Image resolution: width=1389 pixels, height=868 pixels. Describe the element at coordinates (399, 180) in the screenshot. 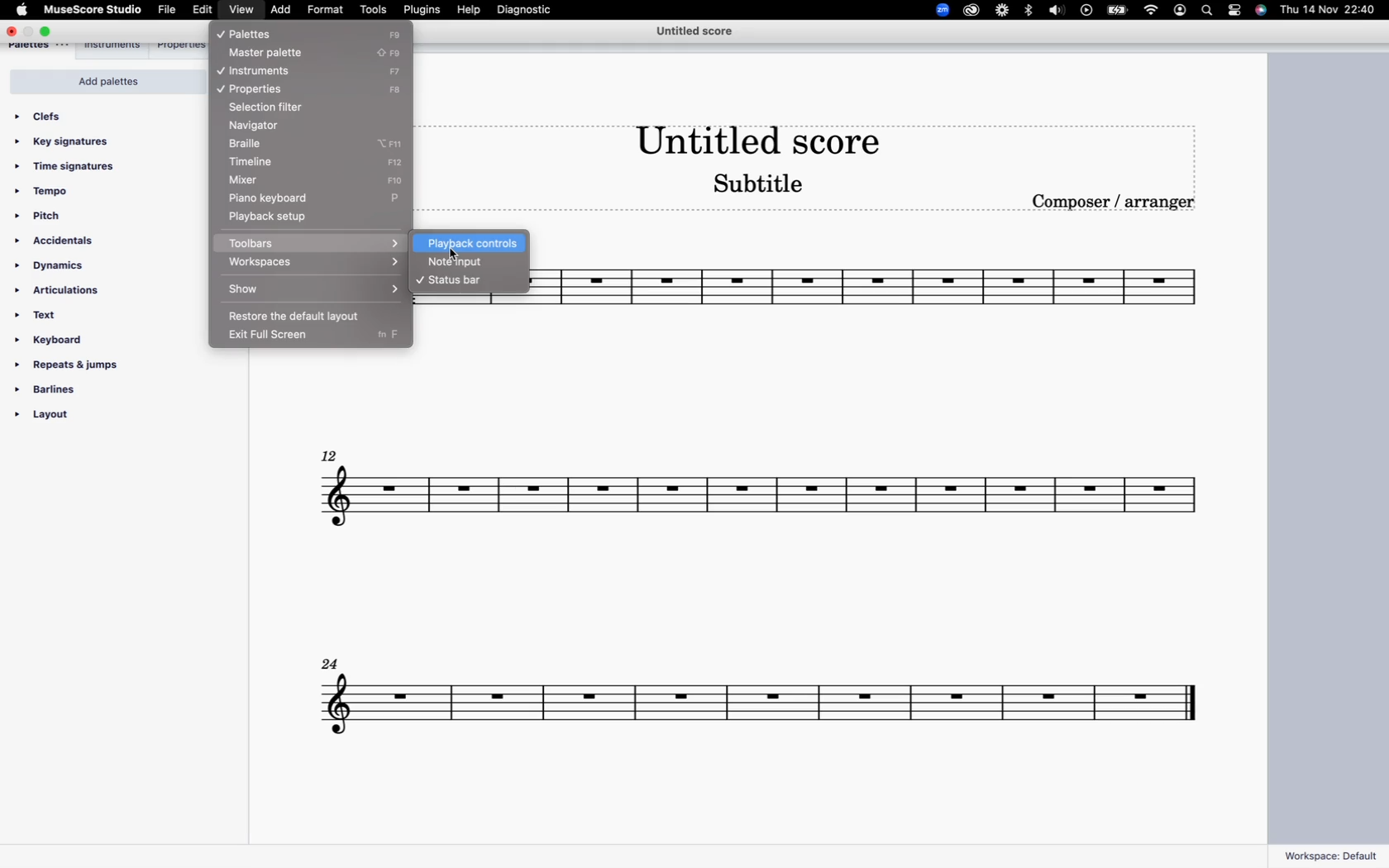

I see `F10` at that location.